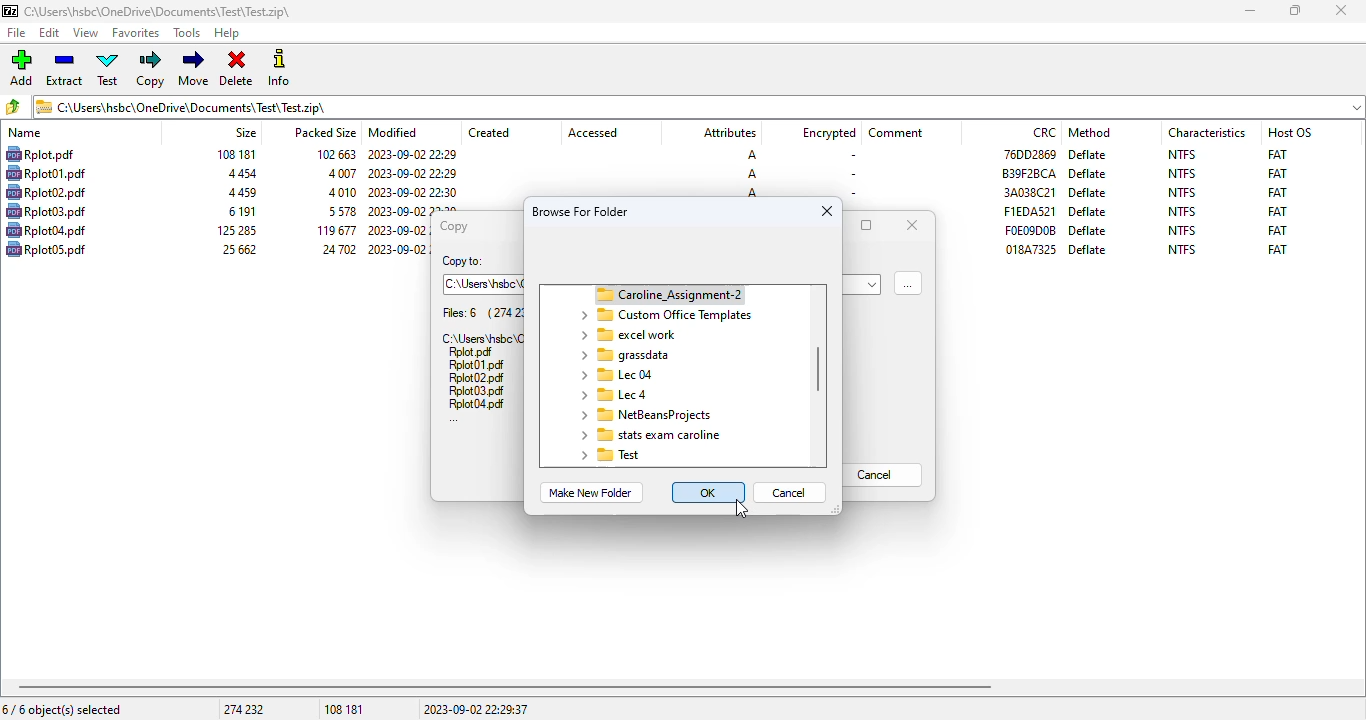 The image size is (1366, 720). I want to click on extract, so click(65, 69).